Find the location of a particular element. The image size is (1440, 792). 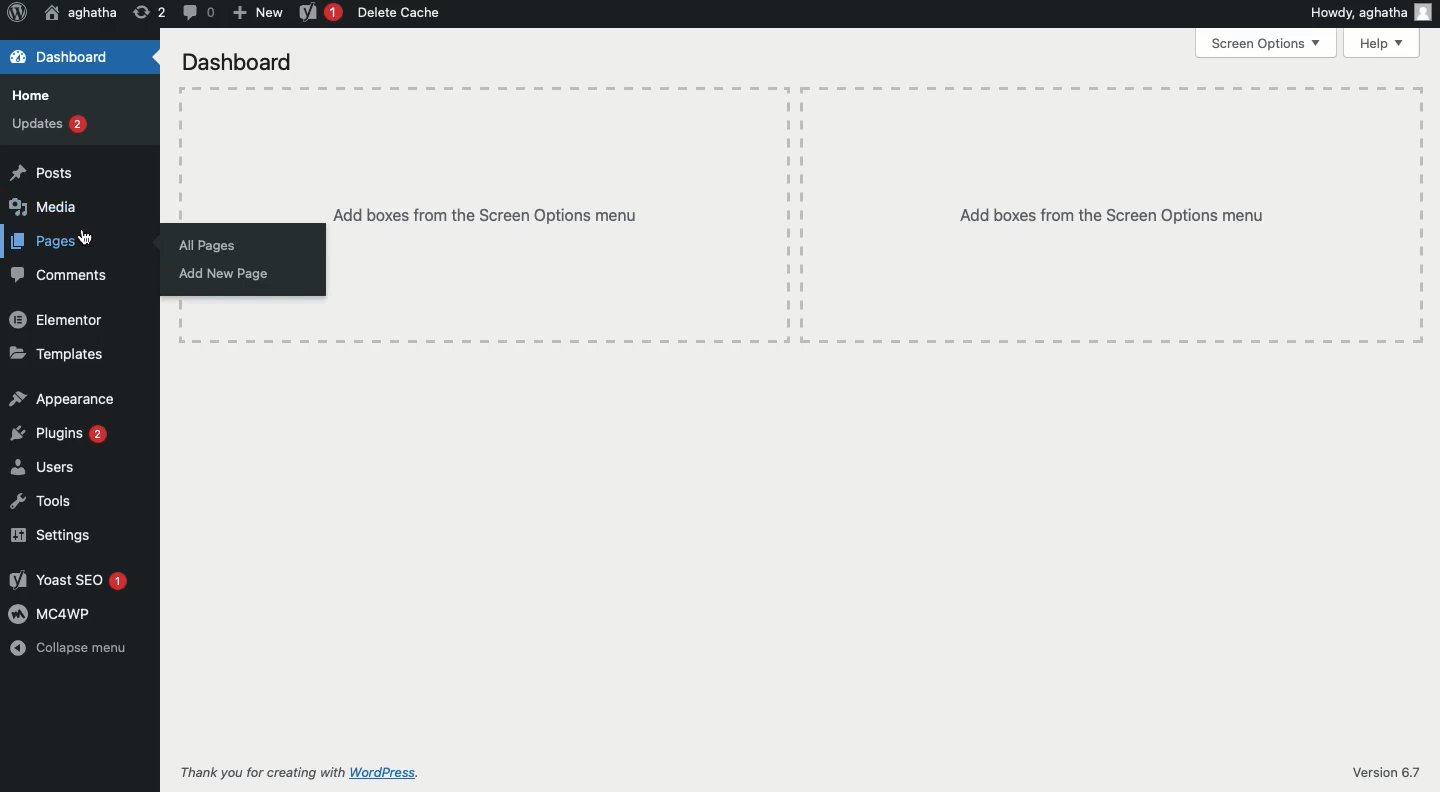

Updates is located at coordinates (49, 124).